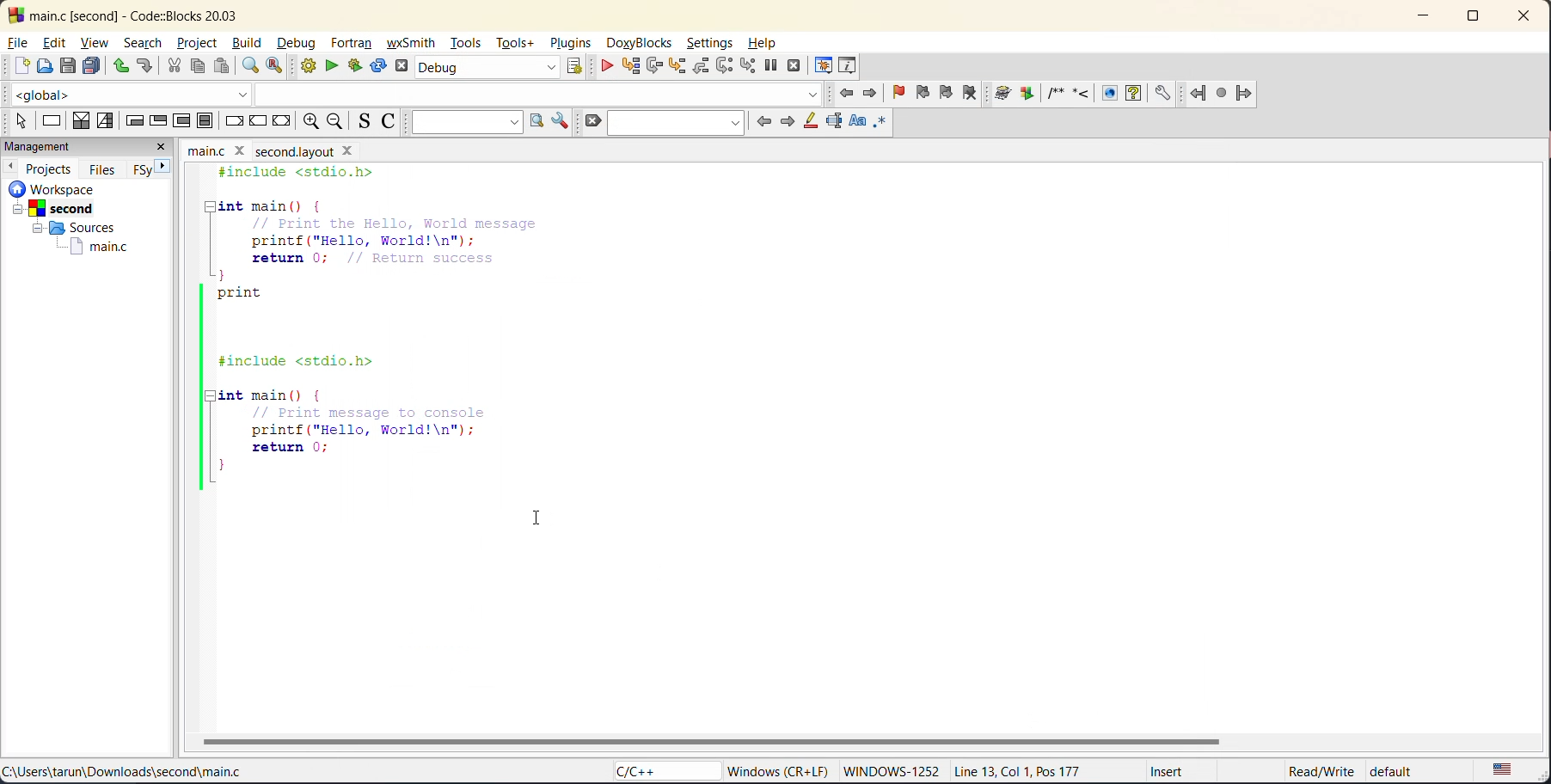  I want to click on next bookmark, so click(948, 93).